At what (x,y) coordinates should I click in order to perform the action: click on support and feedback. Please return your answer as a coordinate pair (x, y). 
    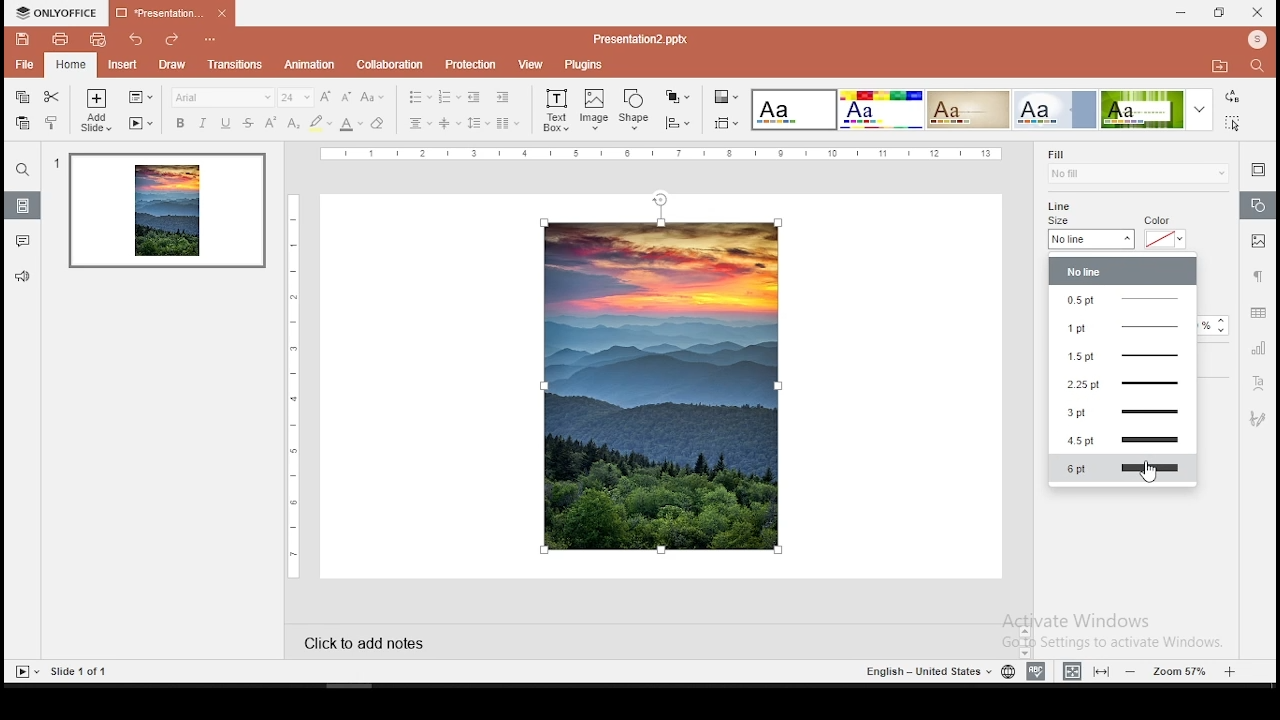
    Looking at the image, I should click on (22, 278).